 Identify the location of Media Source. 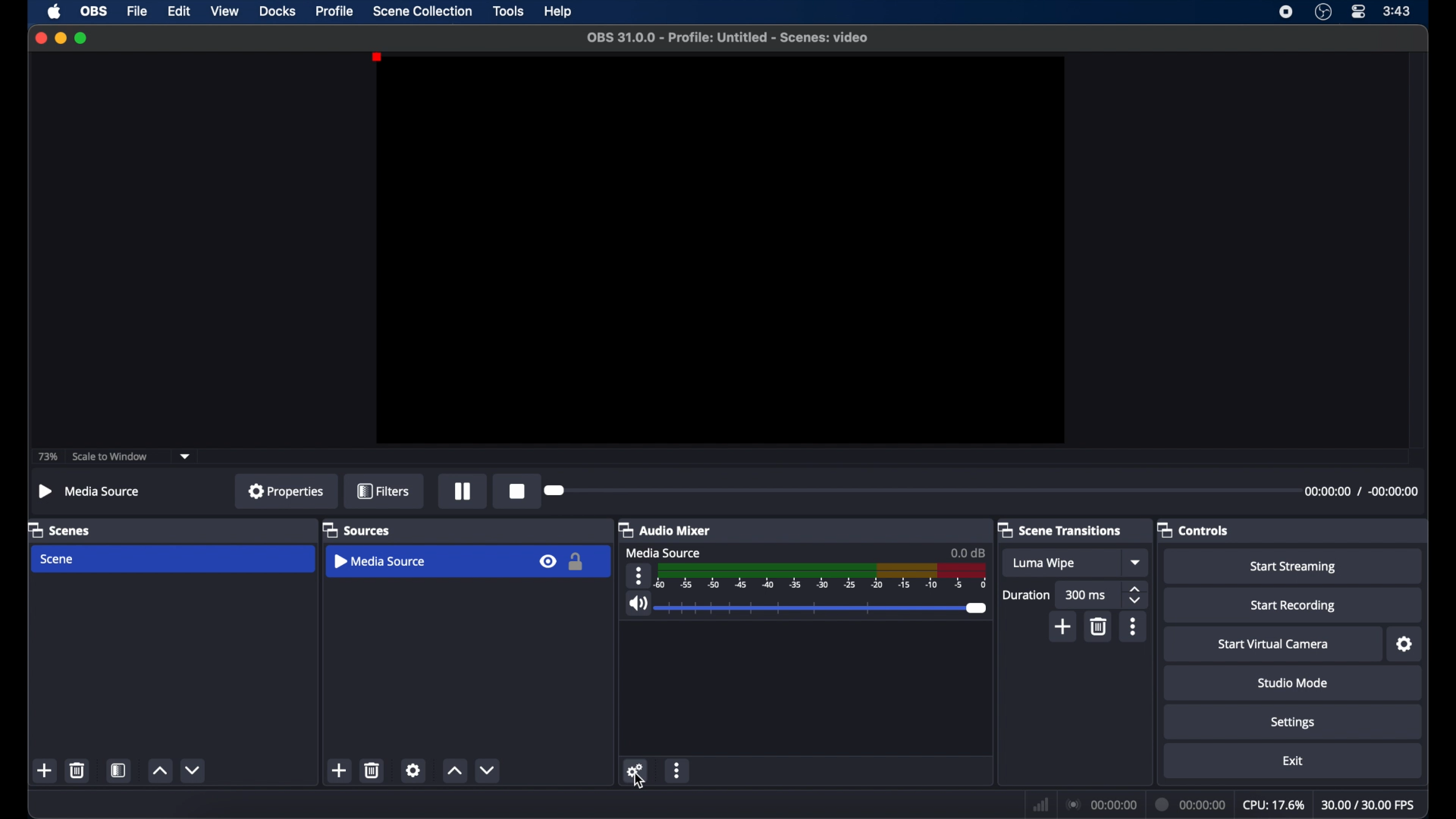
(90, 492).